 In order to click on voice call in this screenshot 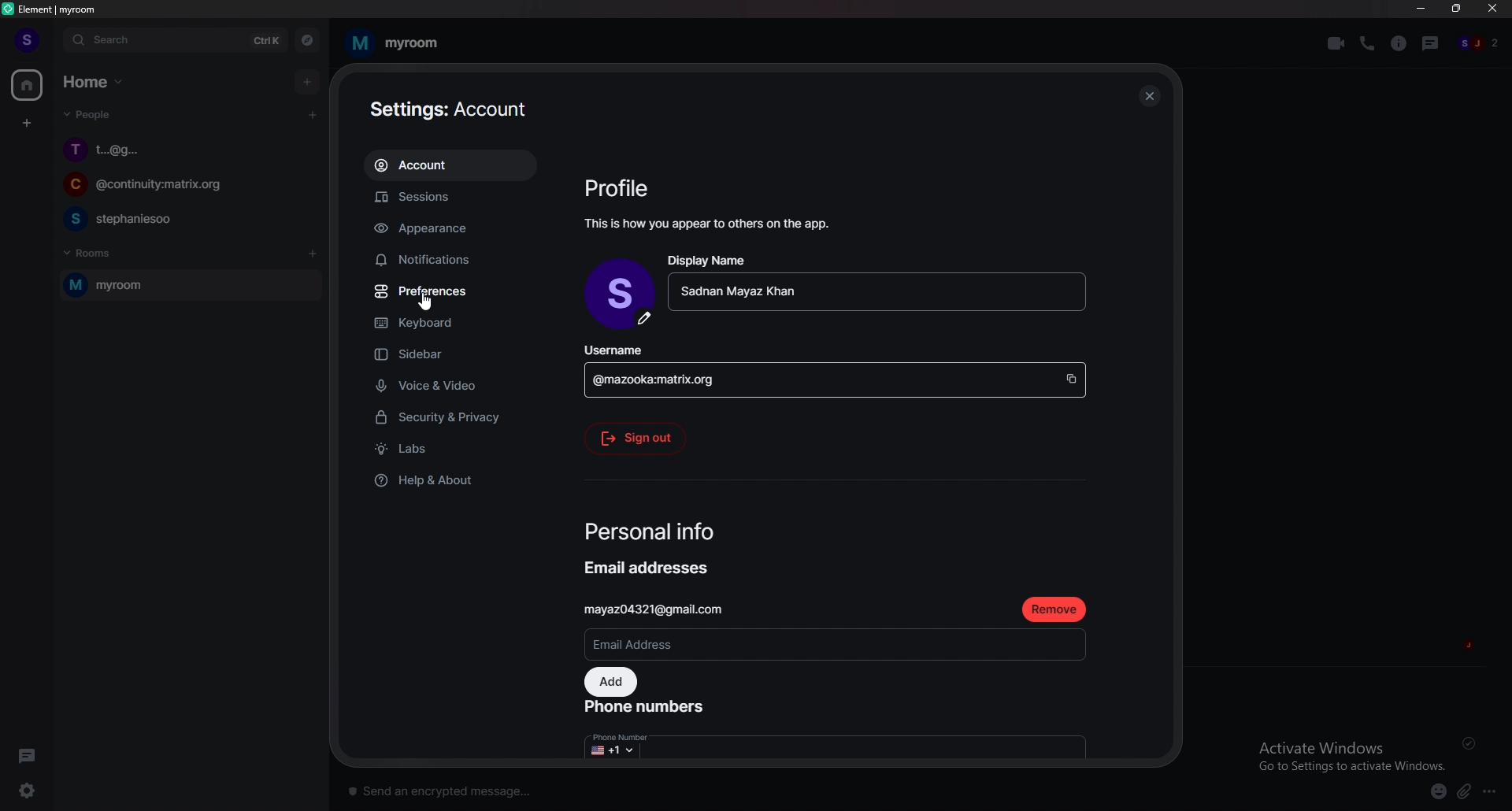, I will do `click(1367, 43)`.